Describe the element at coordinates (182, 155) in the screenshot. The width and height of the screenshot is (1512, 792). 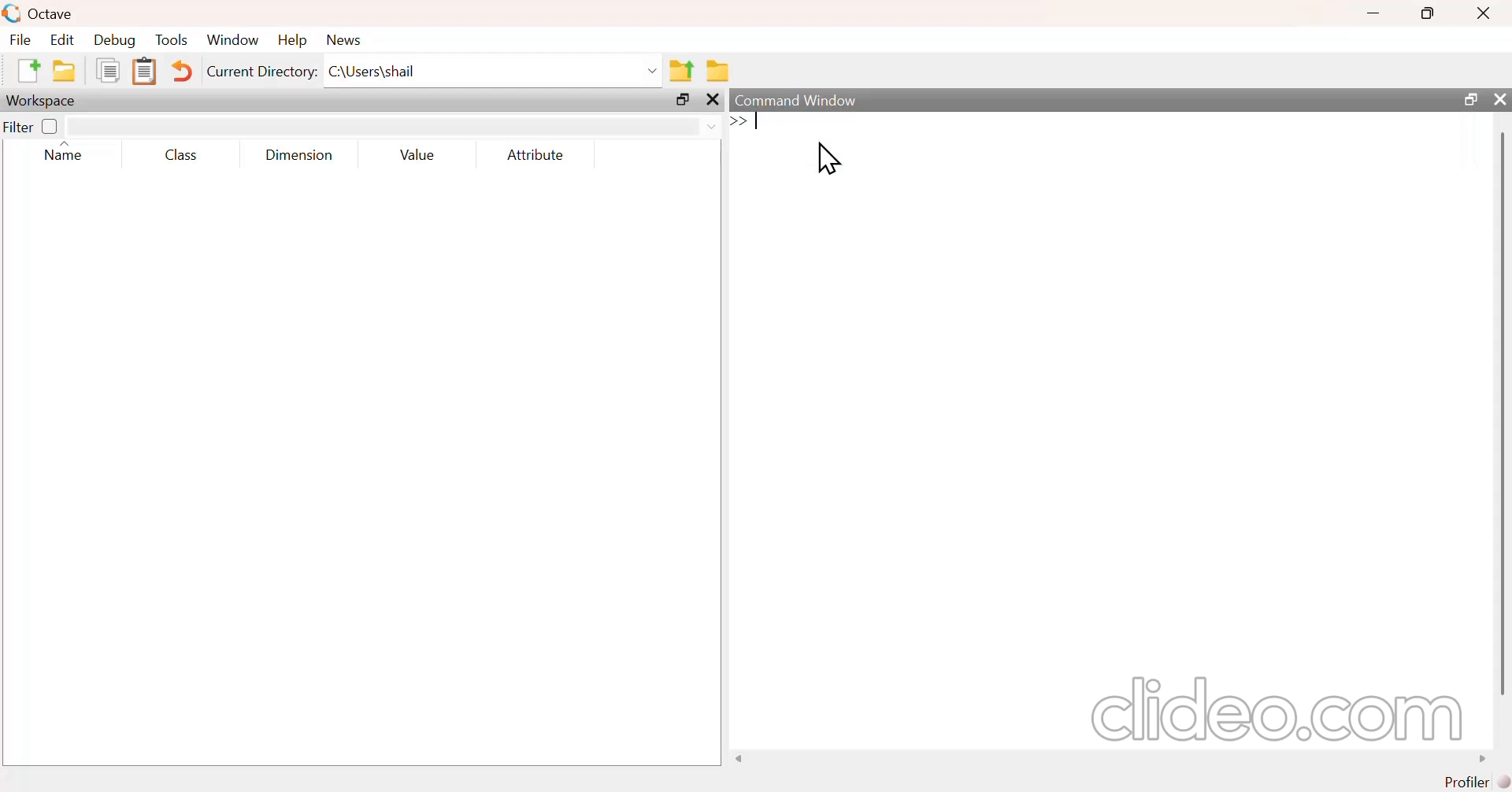
I see `class` at that location.